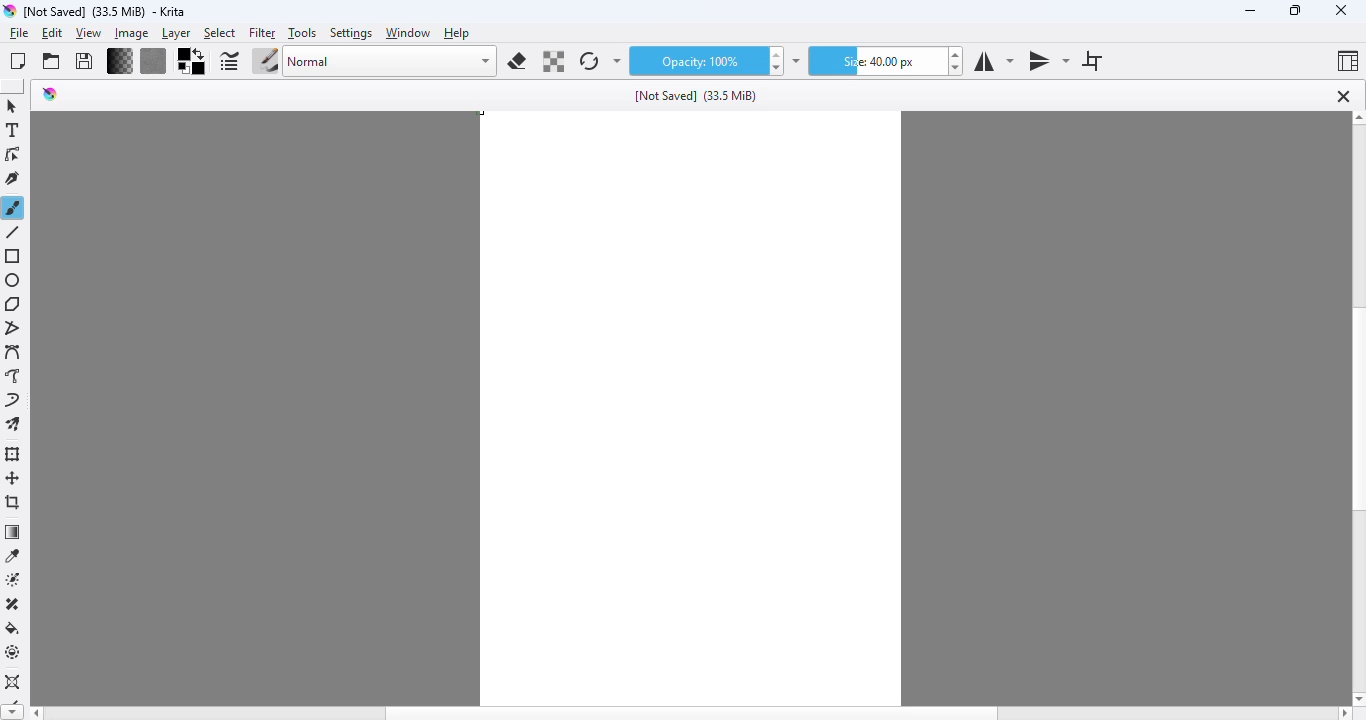  I want to click on fill gradients, so click(120, 61).